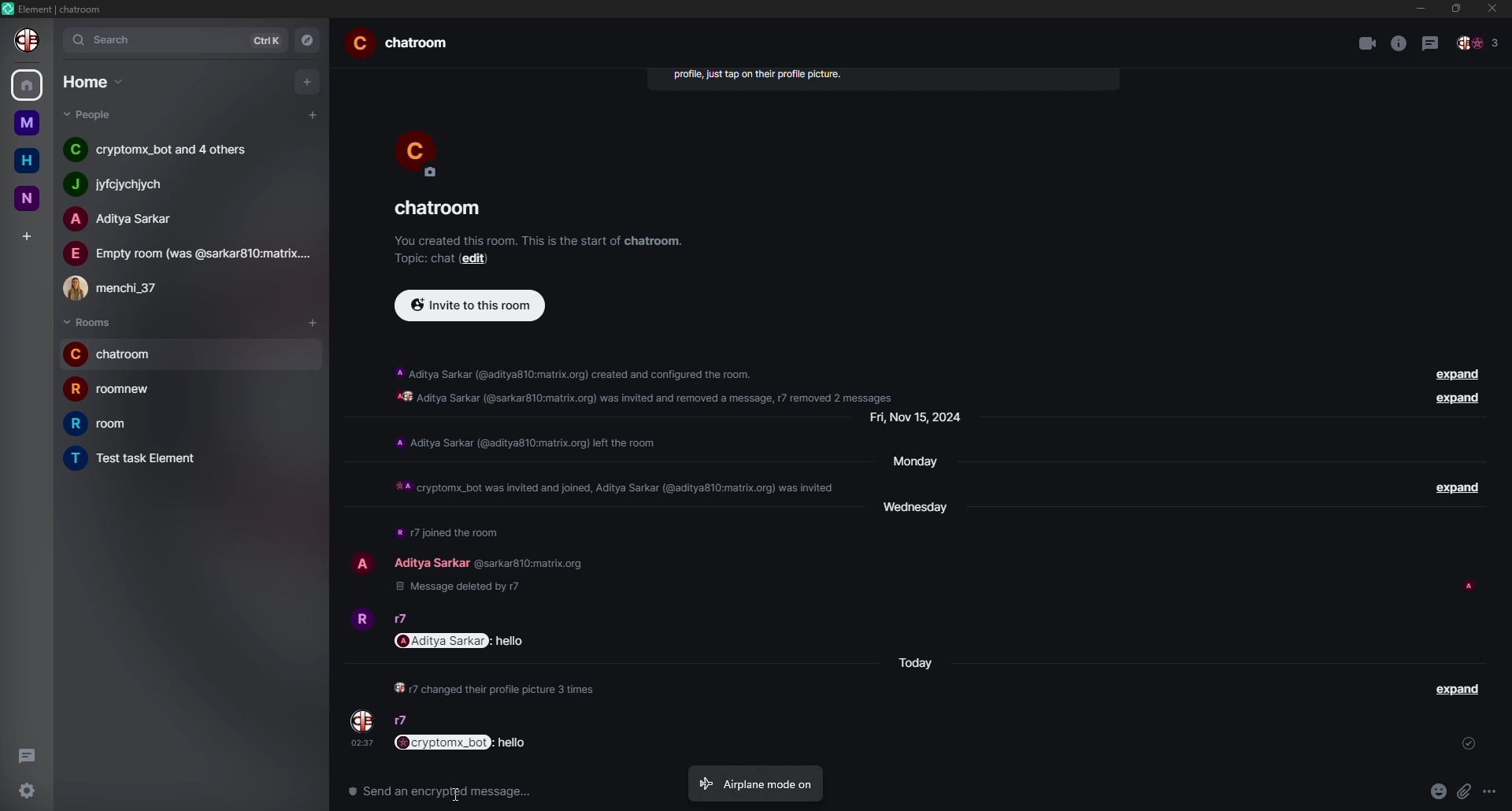  What do you see at coordinates (112, 354) in the screenshot?
I see `room` at bounding box center [112, 354].